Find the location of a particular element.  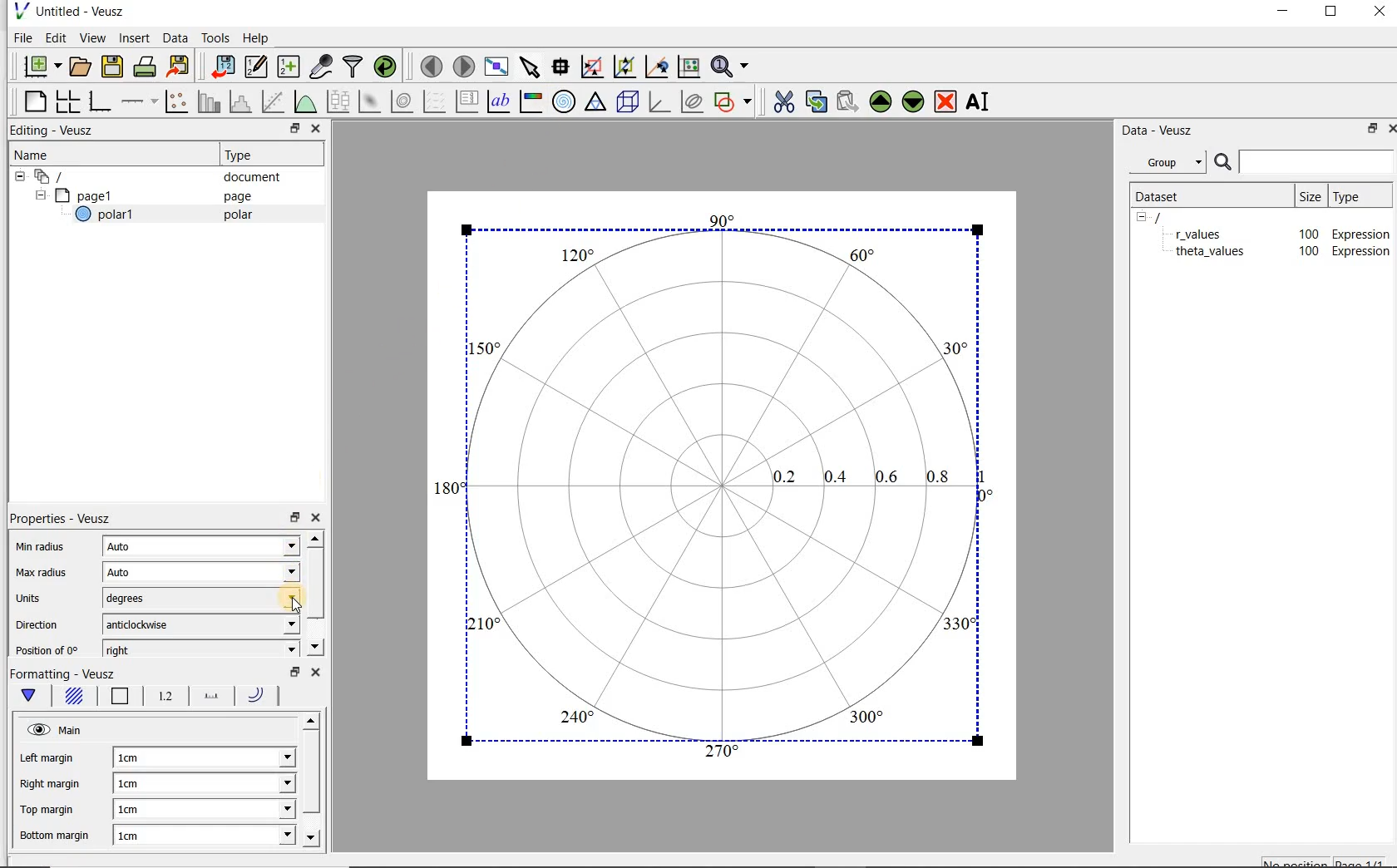

import data into Veusz is located at coordinates (221, 67).